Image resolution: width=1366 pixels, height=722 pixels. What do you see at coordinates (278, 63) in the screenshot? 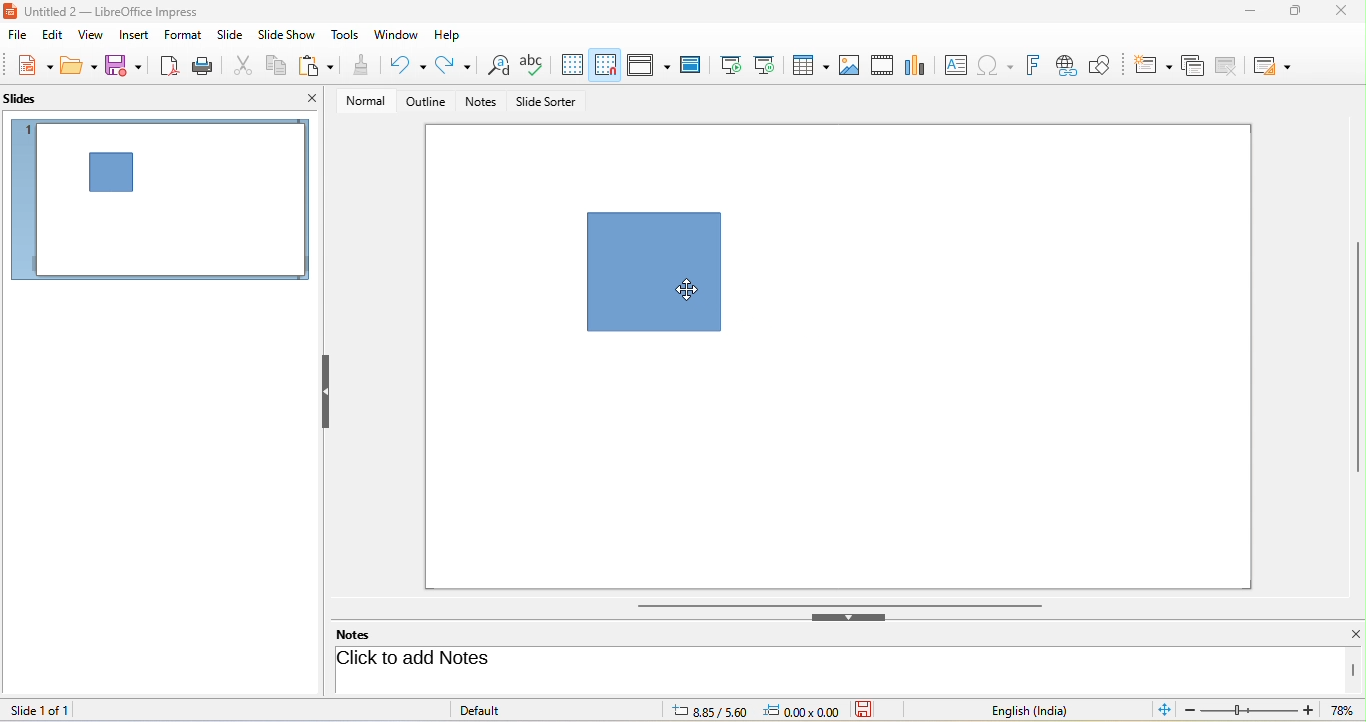
I see `copy` at bounding box center [278, 63].